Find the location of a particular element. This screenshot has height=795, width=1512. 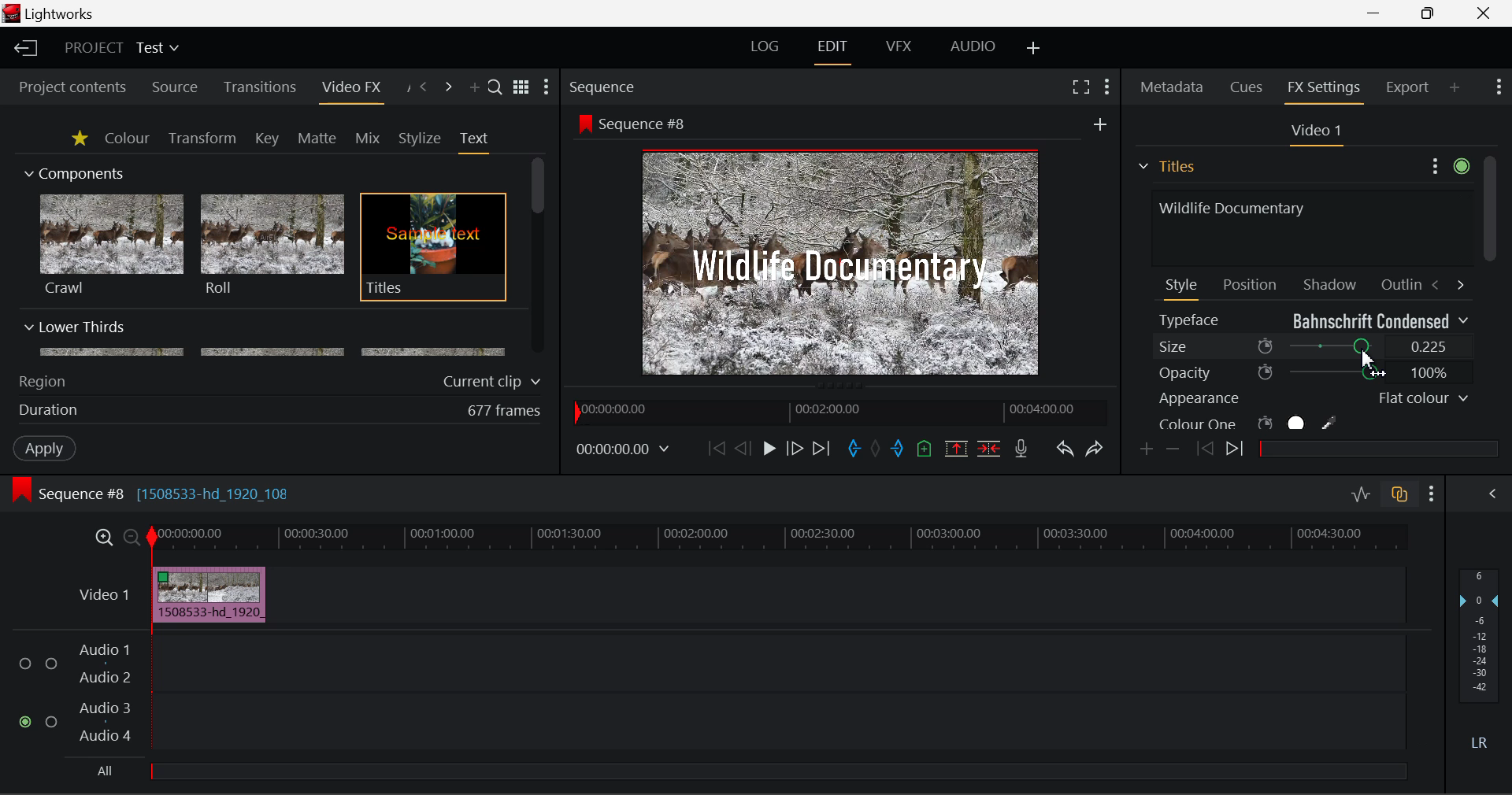

Mark Cue is located at coordinates (926, 450).